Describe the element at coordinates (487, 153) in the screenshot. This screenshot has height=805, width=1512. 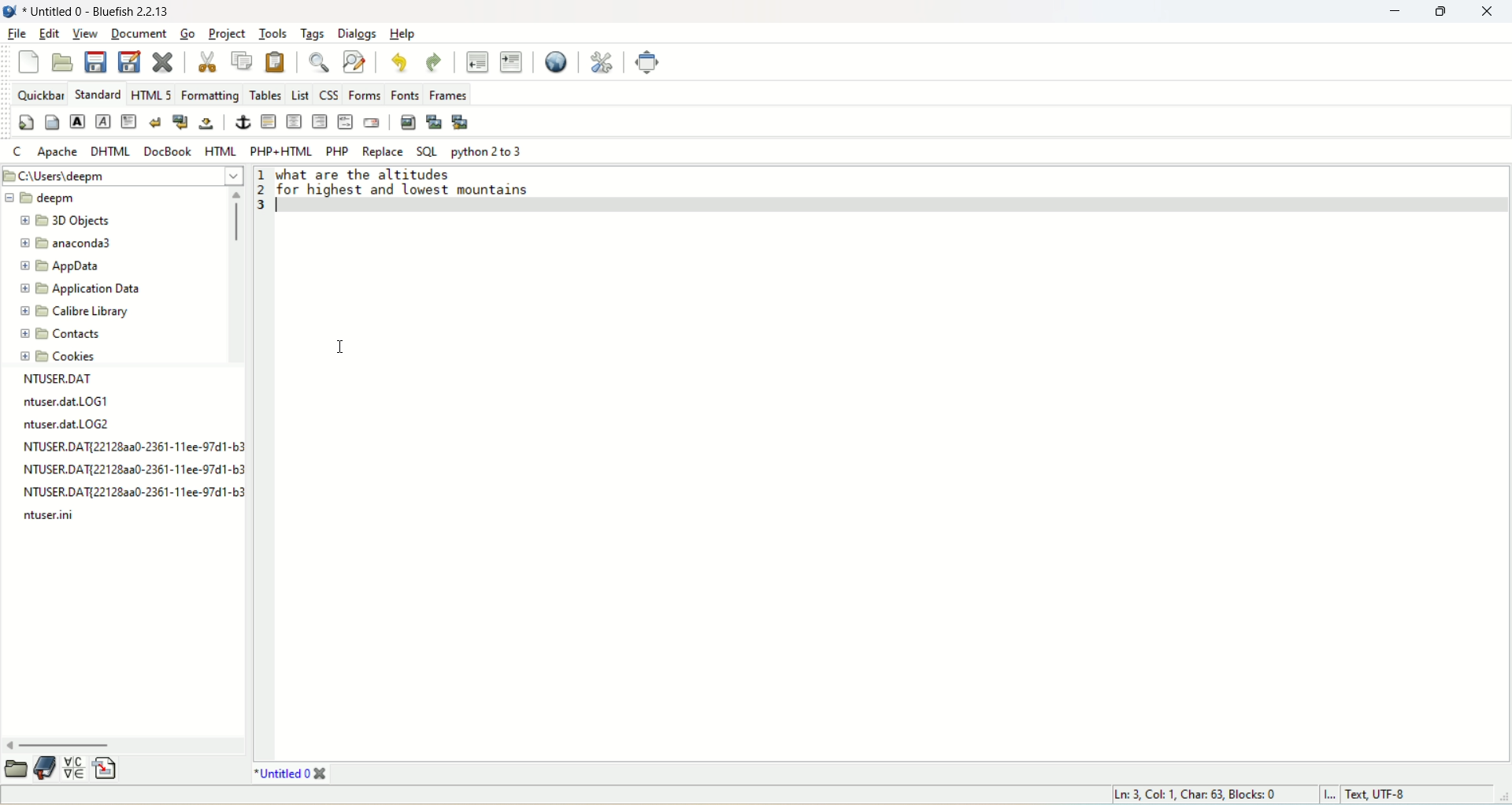
I see `python 2 to 3` at that location.